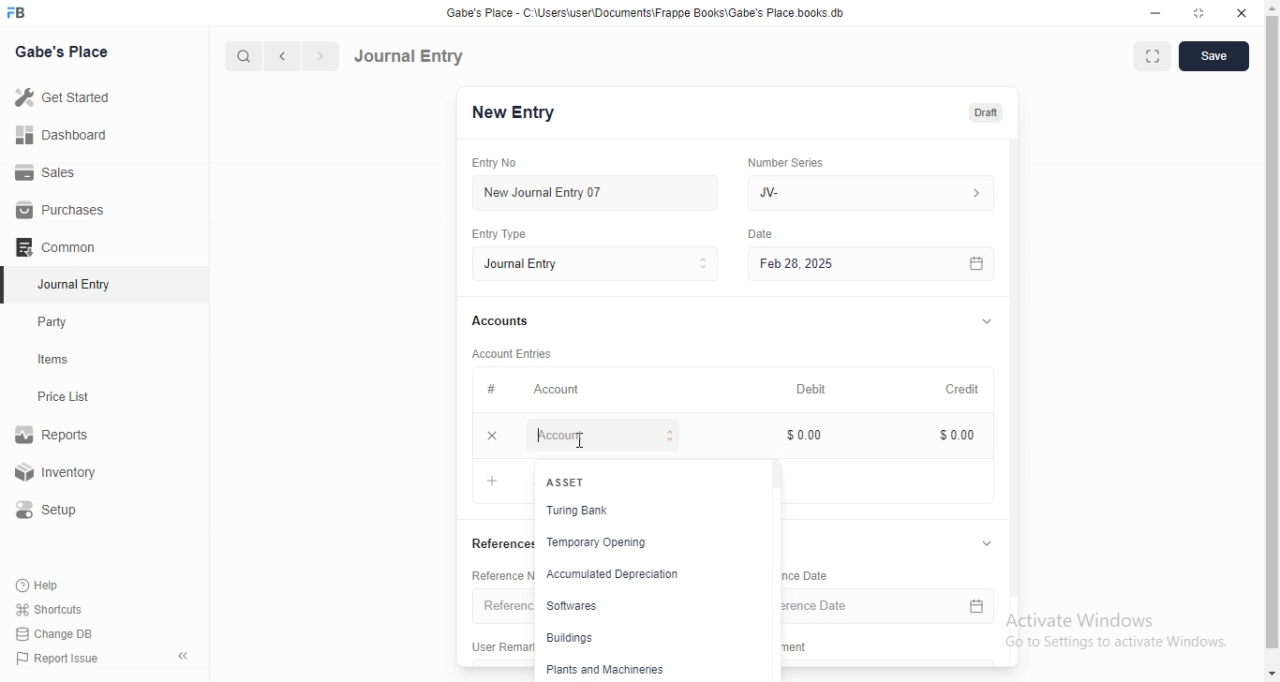  What do you see at coordinates (1157, 14) in the screenshot?
I see `minimize` at bounding box center [1157, 14].